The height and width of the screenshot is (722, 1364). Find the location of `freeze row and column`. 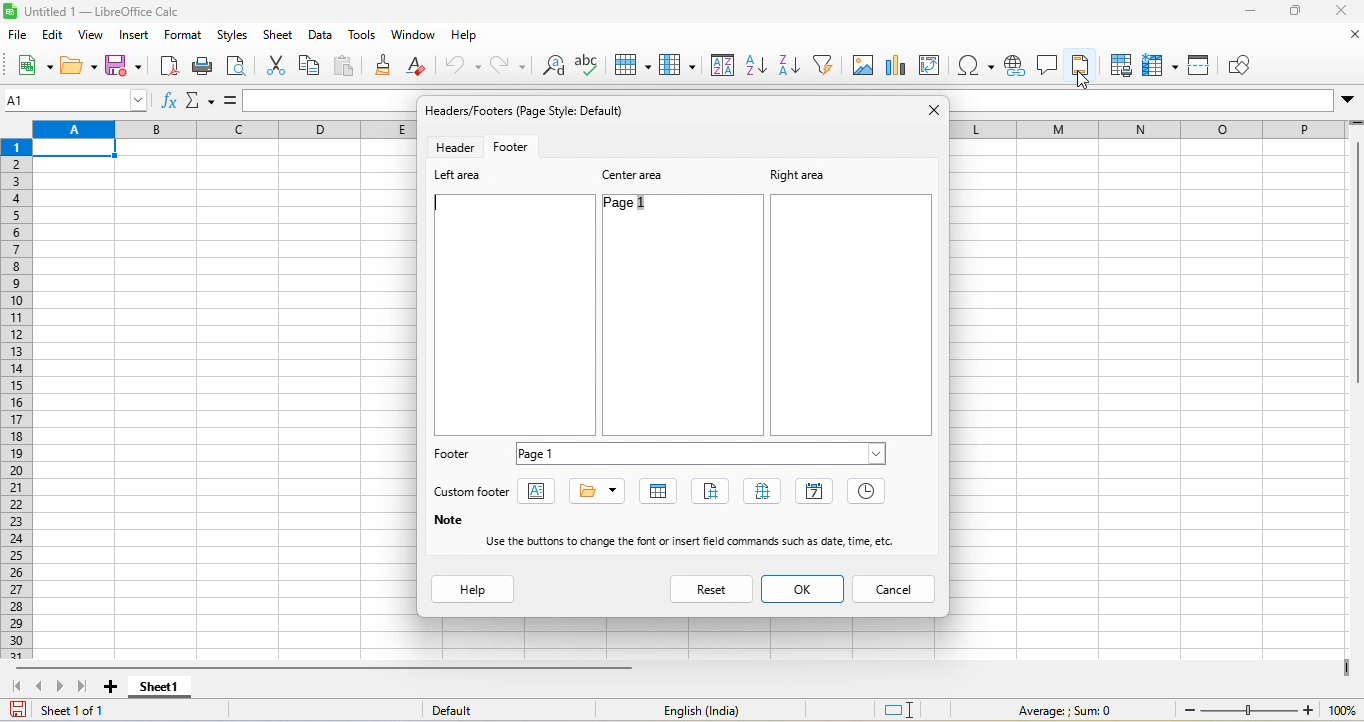

freeze row and column is located at coordinates (1158, 63).